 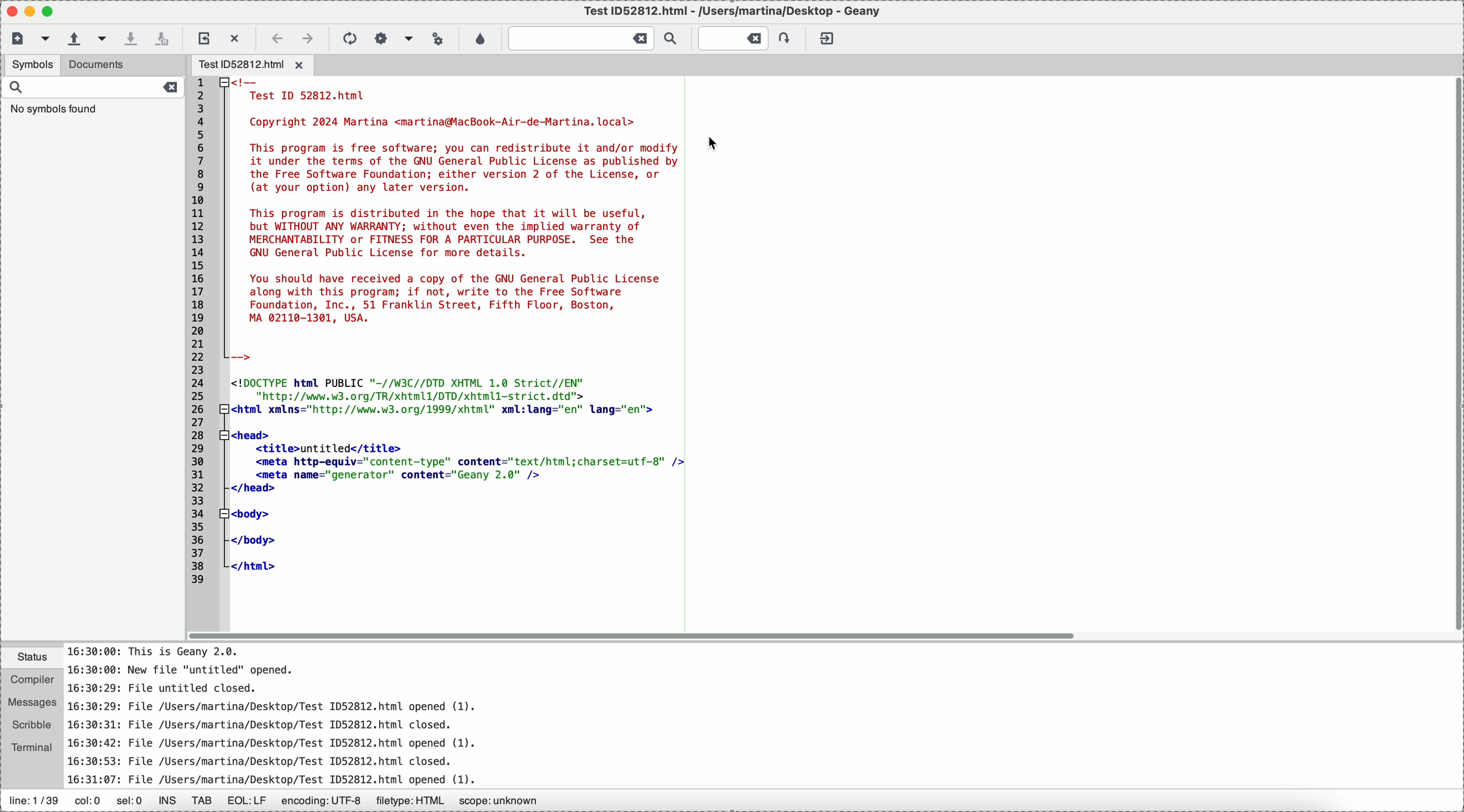 I want to click on build the current file, so click(x=394, y=38).